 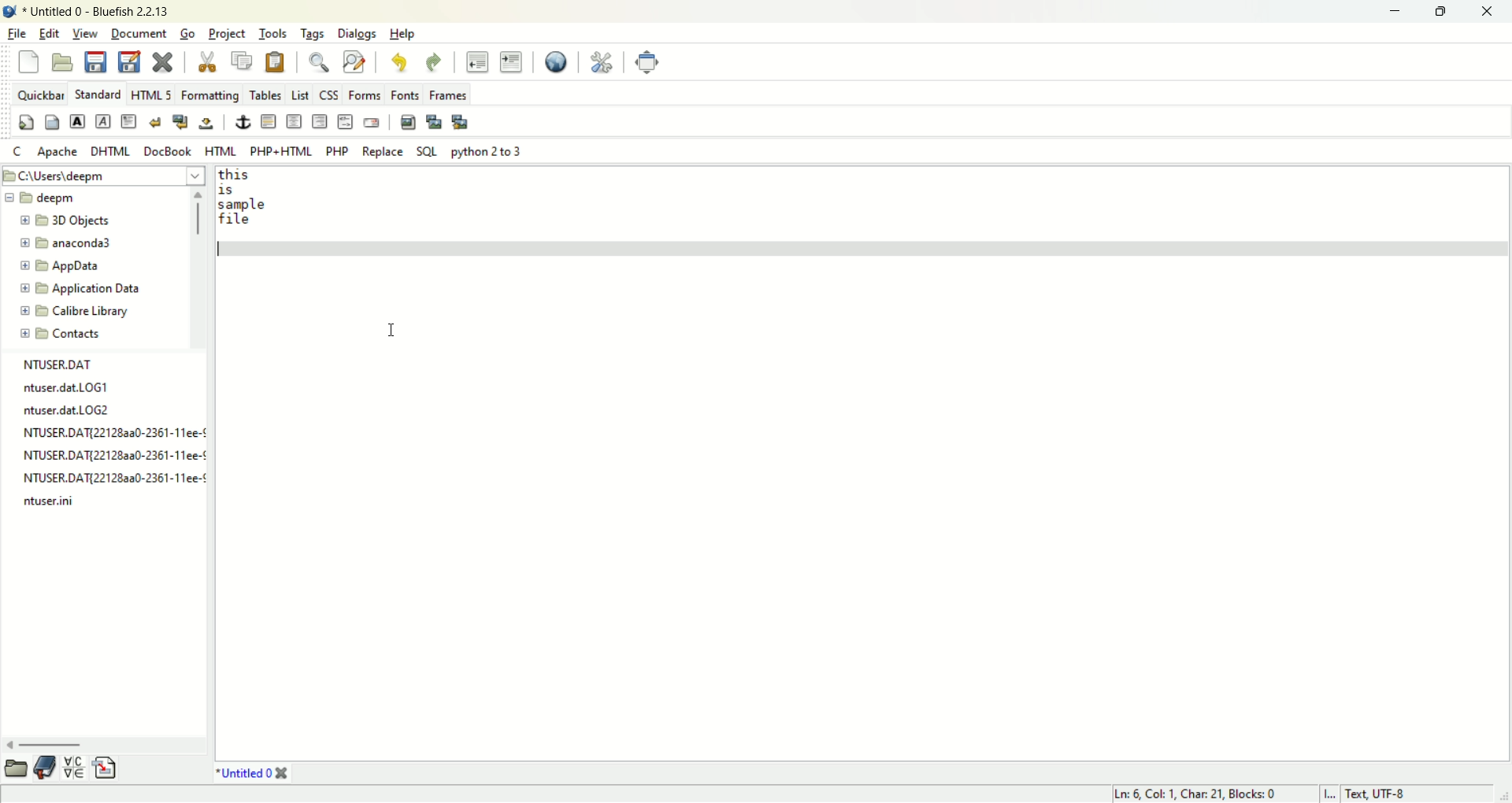 I want to click on NTUSER.DAT, so click(x=56, y=364).